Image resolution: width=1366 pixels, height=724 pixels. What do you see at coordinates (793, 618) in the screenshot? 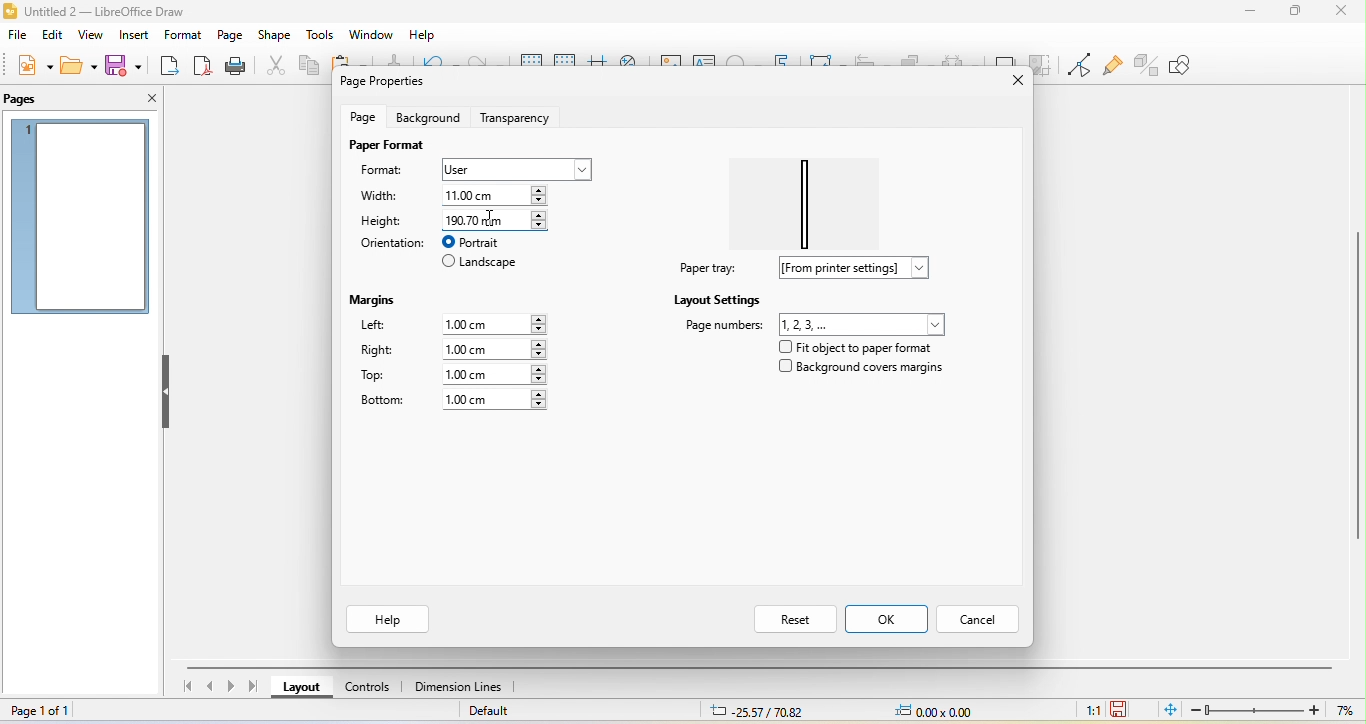
I see `reset` at bounding box center [793, 618].